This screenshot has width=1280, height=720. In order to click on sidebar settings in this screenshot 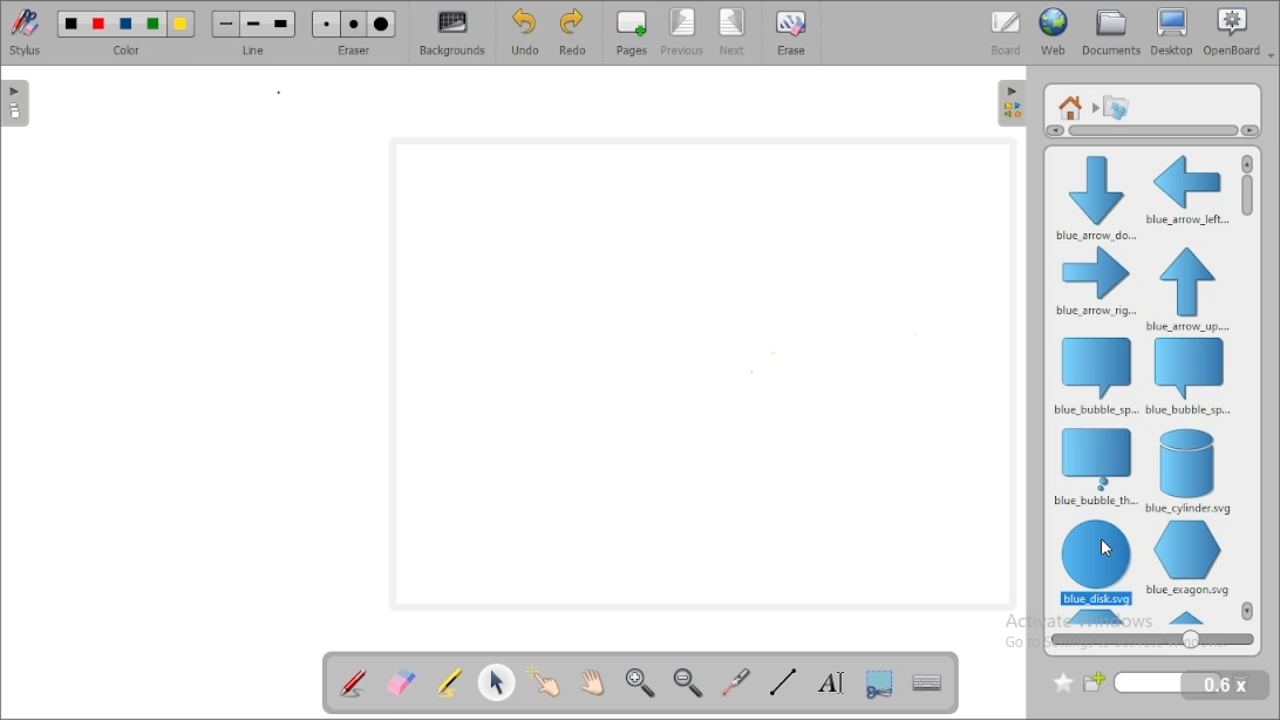, I will do `click(1012, 104)`.